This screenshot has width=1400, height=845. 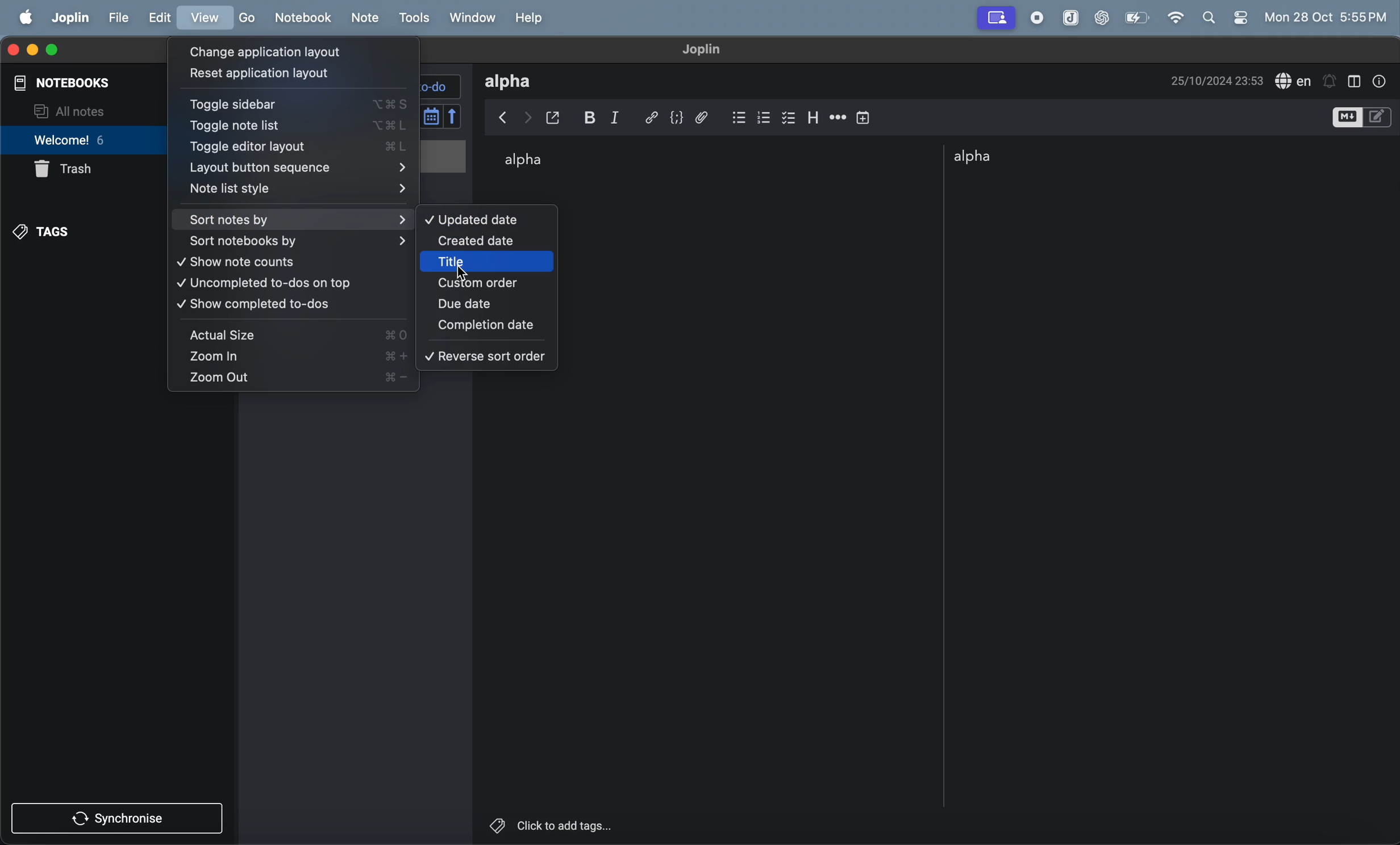 I want to click on toggle external editing, so click(x=559, y=116).